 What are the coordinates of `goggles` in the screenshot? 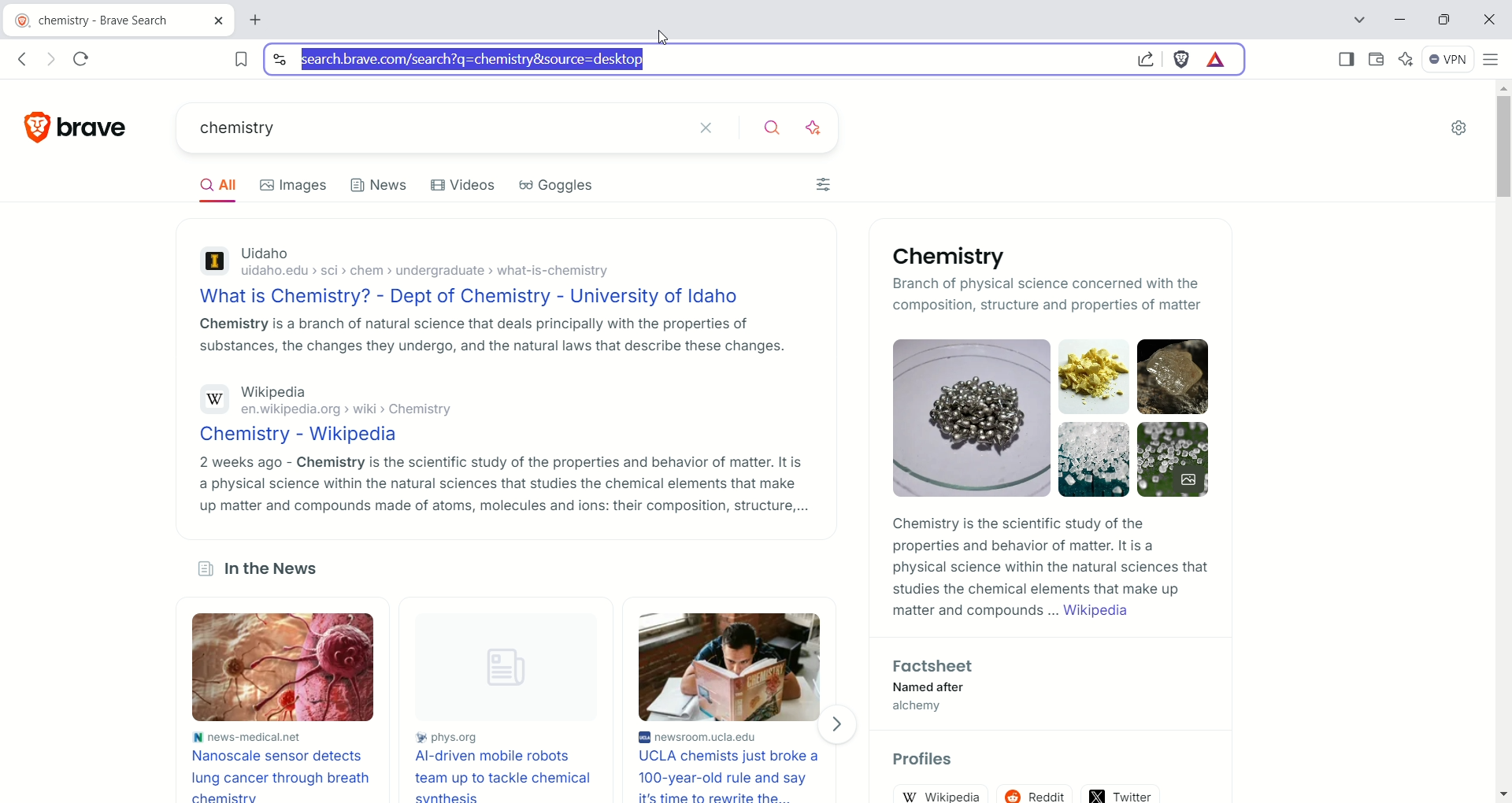 It's located at (555, 186).